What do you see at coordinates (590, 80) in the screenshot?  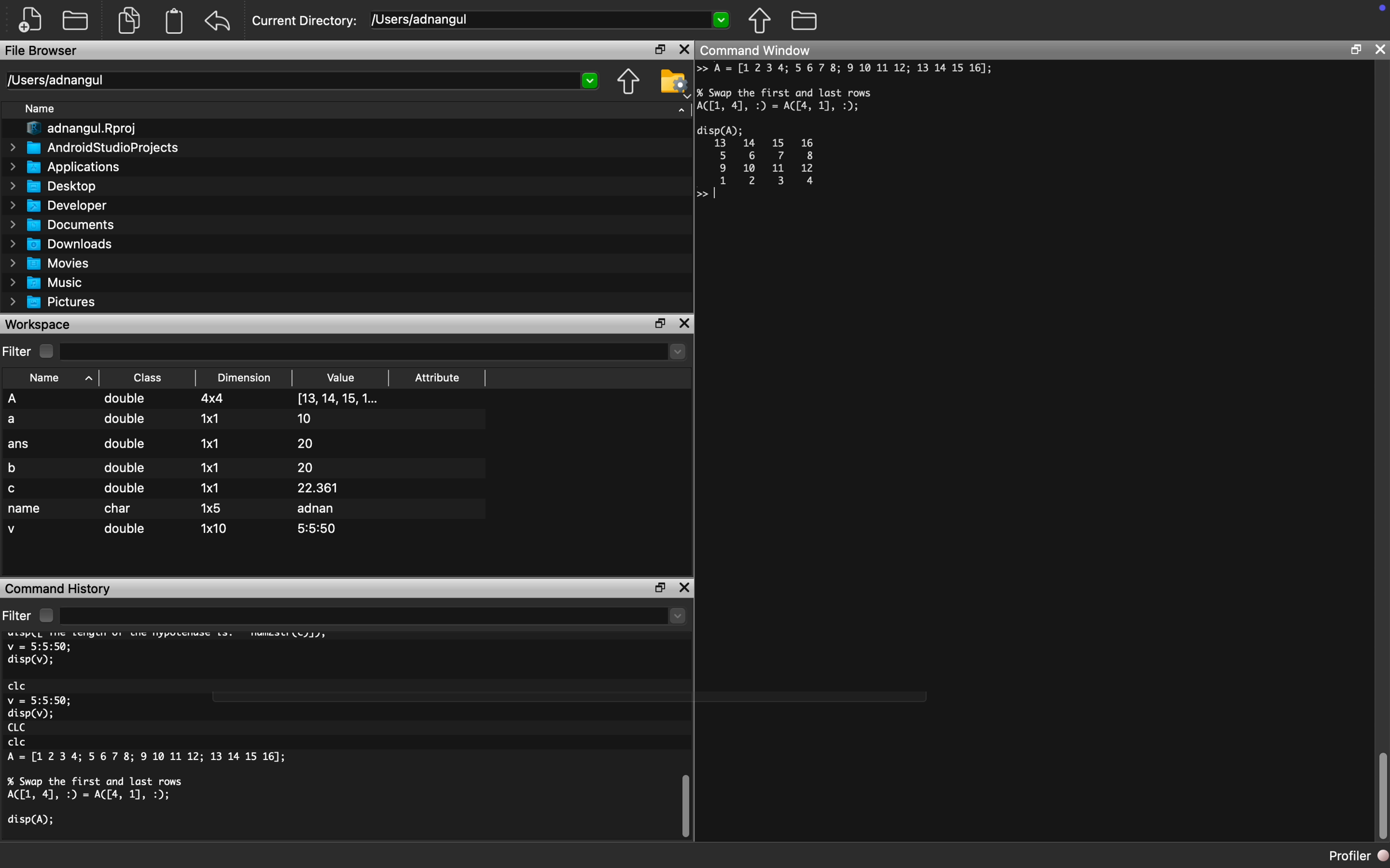 I see `dropdown` at bounding box center [590, 80].